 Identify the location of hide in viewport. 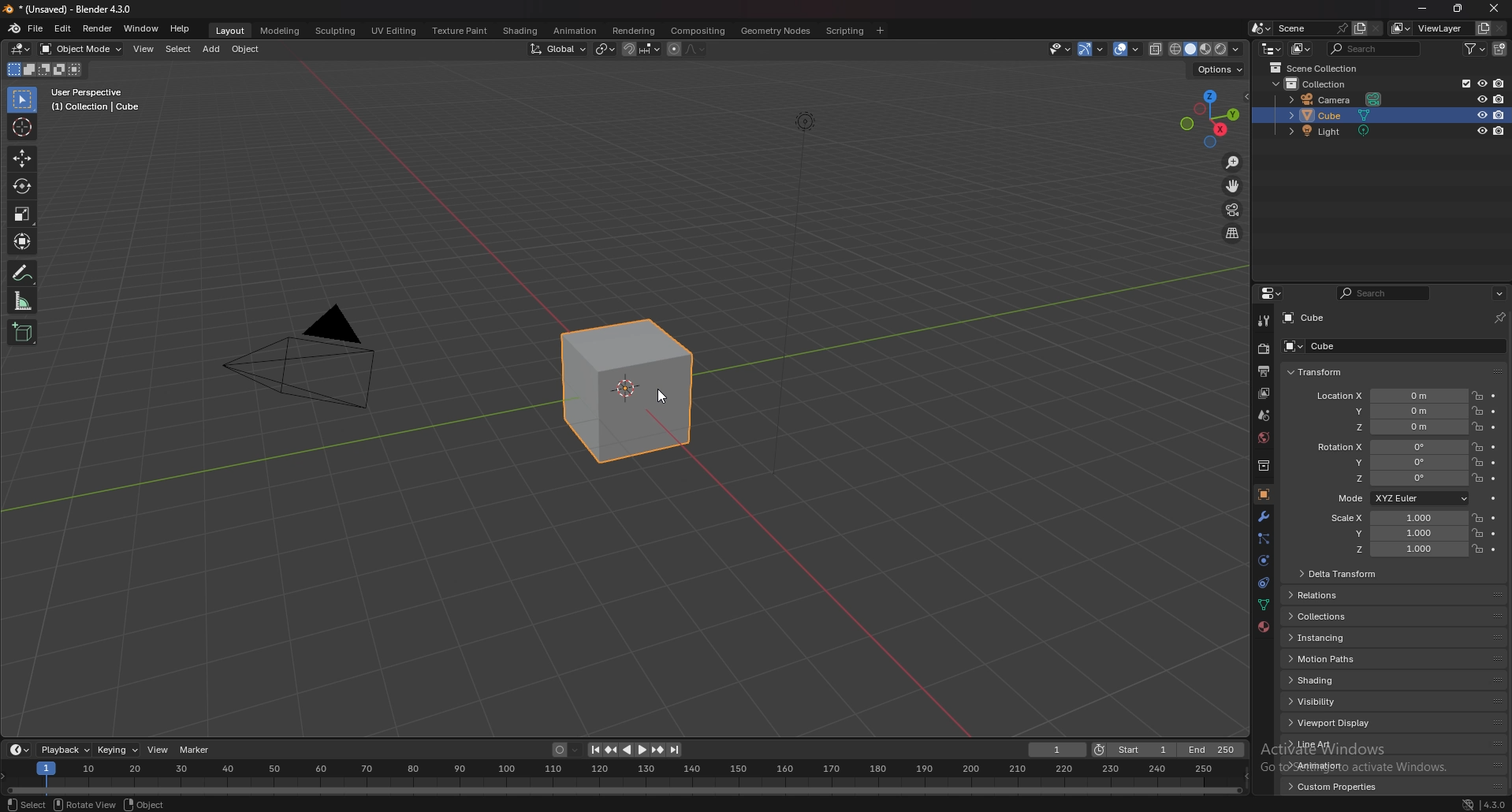
(1481, 130).